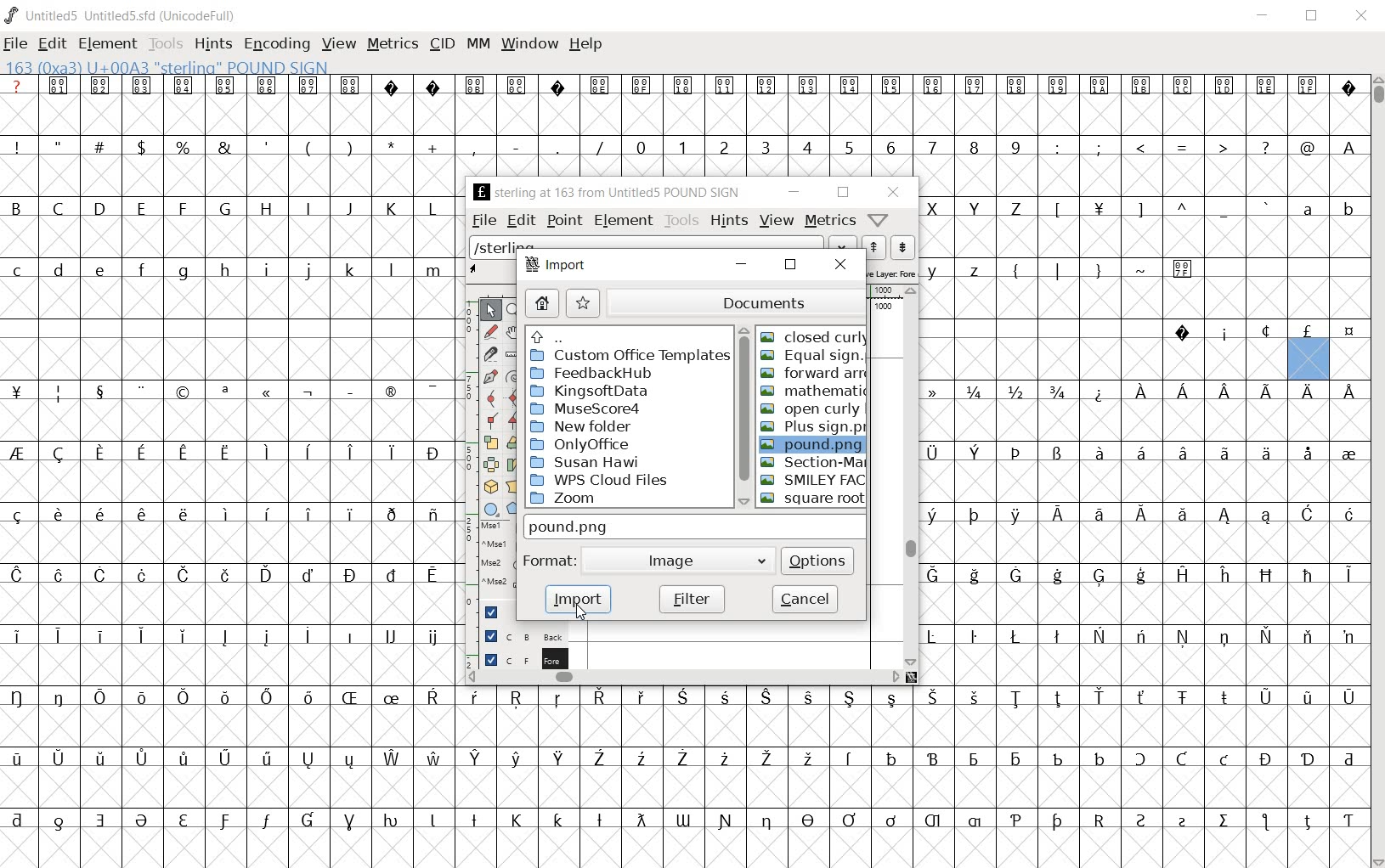 The width and height of the screenshot is (1385, 868). What do you see at coordinates (1309, 759) in the screenshot?
I see `Symbol` at bounding box center [1309, 759].